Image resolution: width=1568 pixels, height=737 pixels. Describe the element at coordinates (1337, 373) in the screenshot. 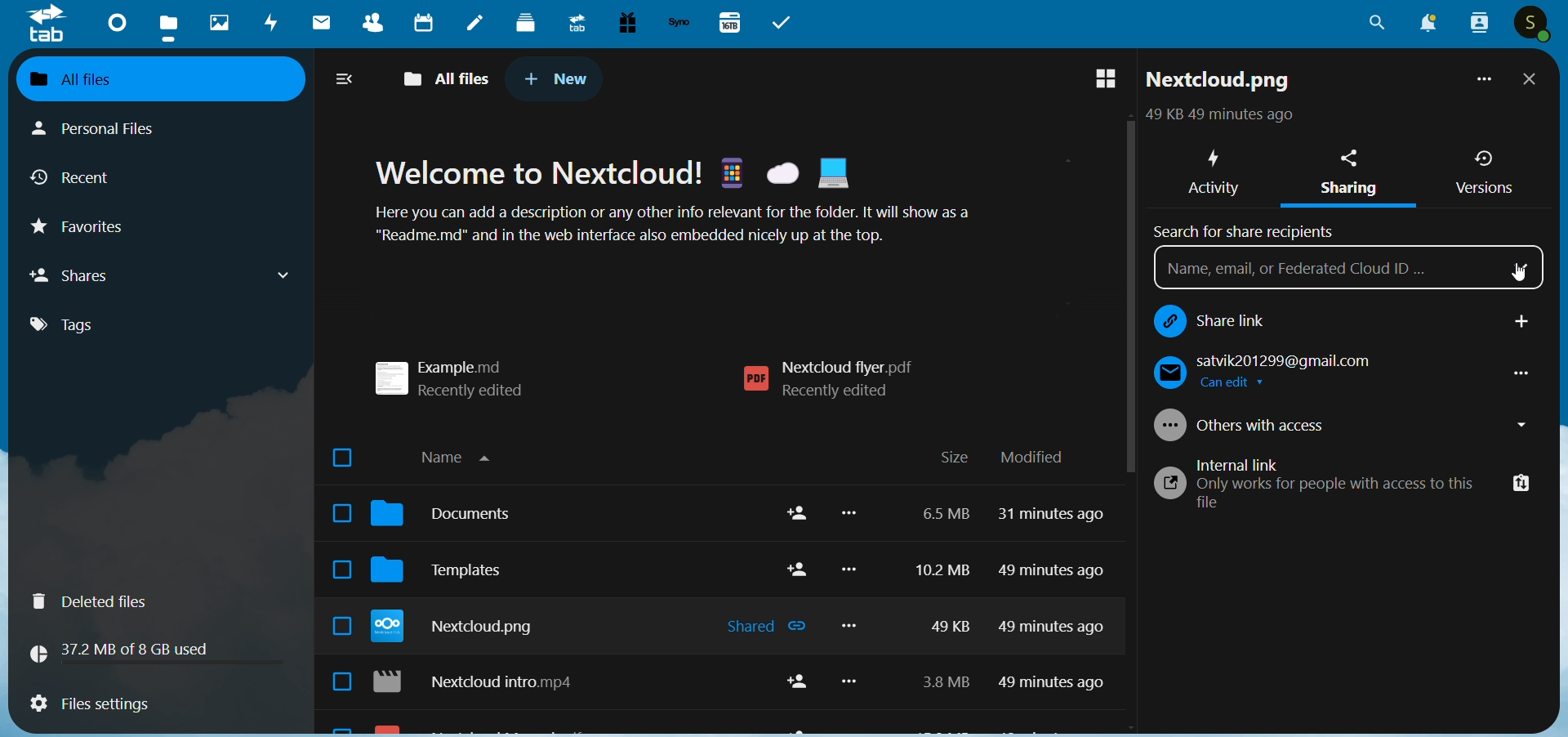

I see `shared email` at that location.